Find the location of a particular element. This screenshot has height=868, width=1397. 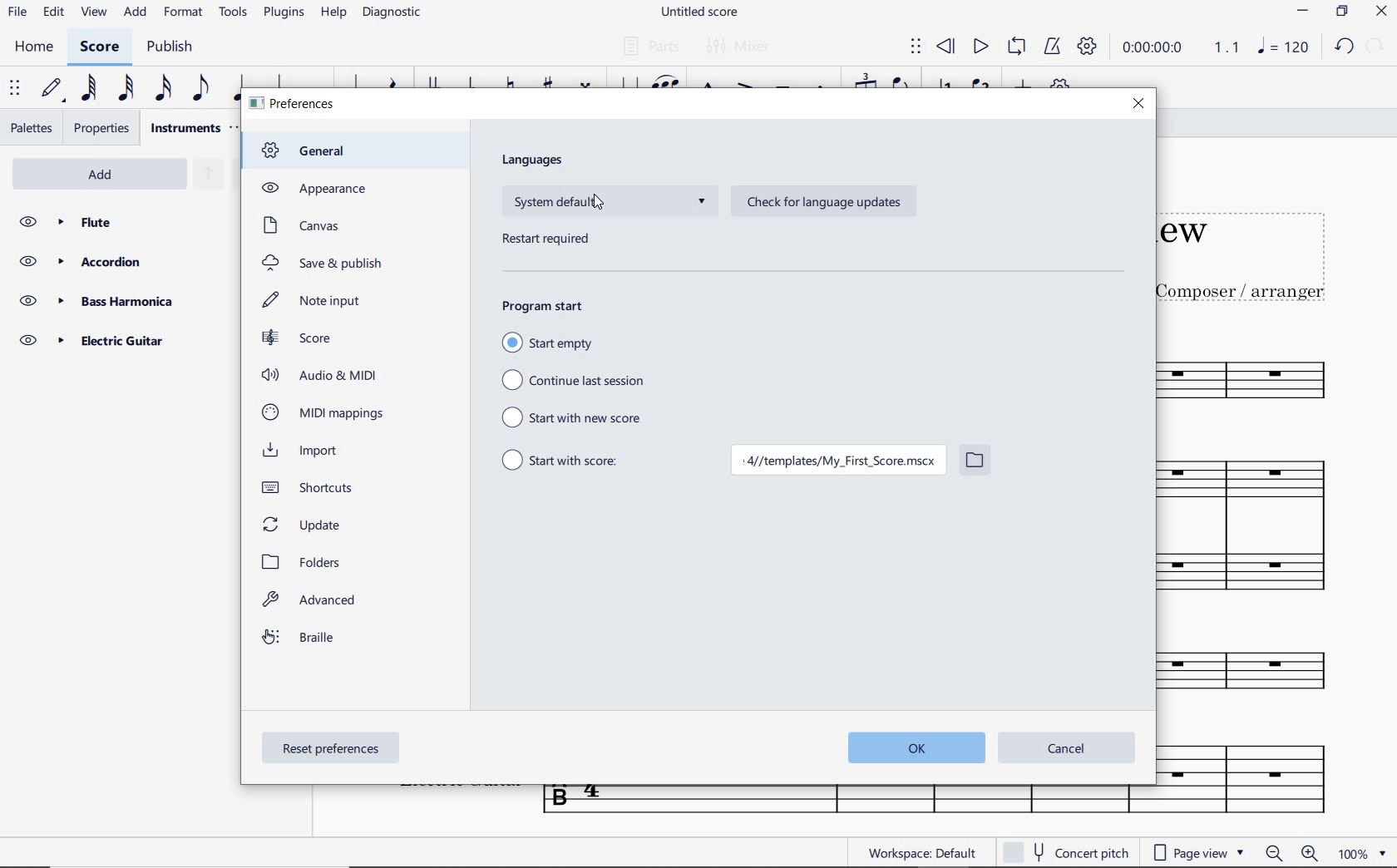

mixer is located at coordinates (741, 48).